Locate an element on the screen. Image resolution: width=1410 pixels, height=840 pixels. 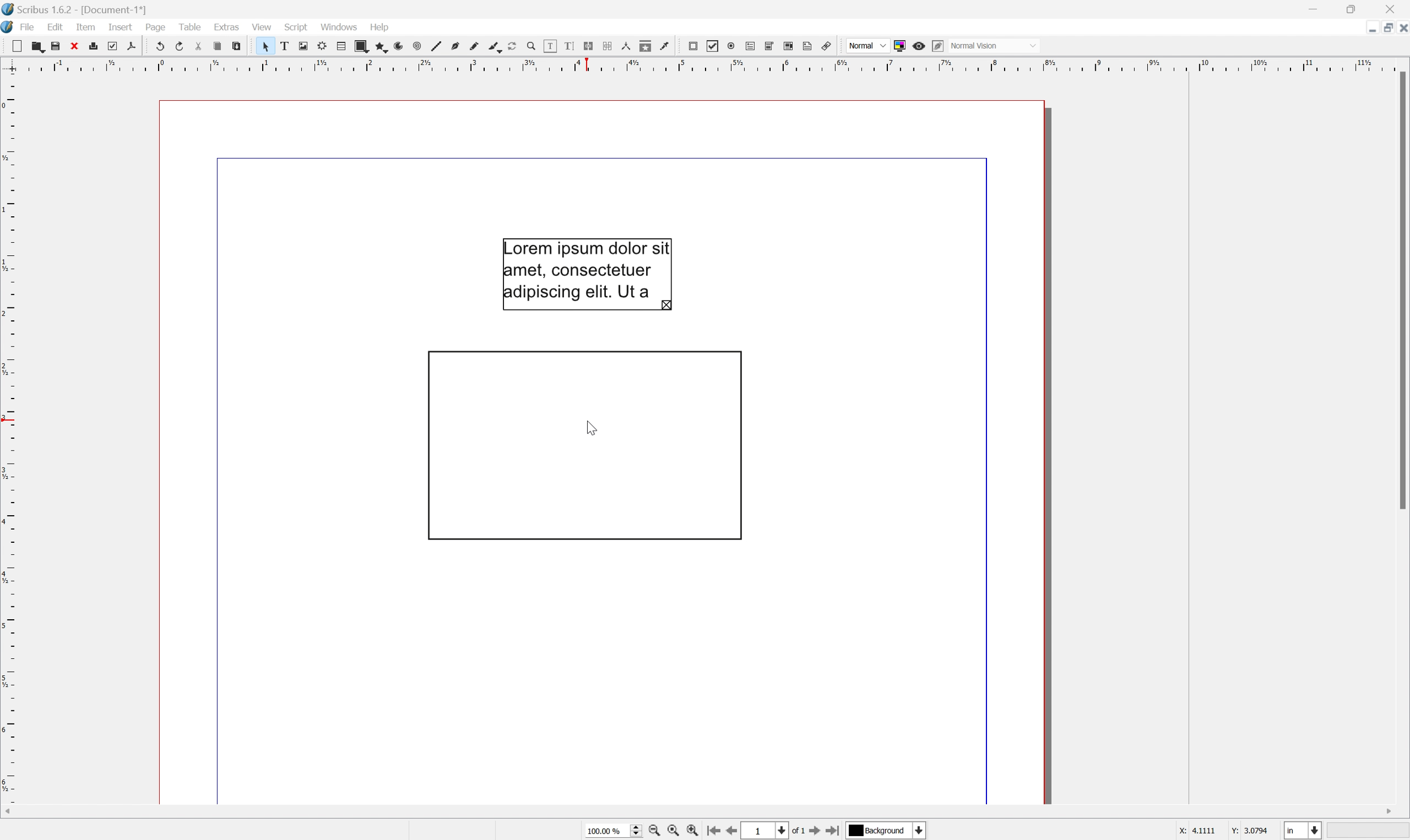
Normal mode is located at coordinates (997, 46).